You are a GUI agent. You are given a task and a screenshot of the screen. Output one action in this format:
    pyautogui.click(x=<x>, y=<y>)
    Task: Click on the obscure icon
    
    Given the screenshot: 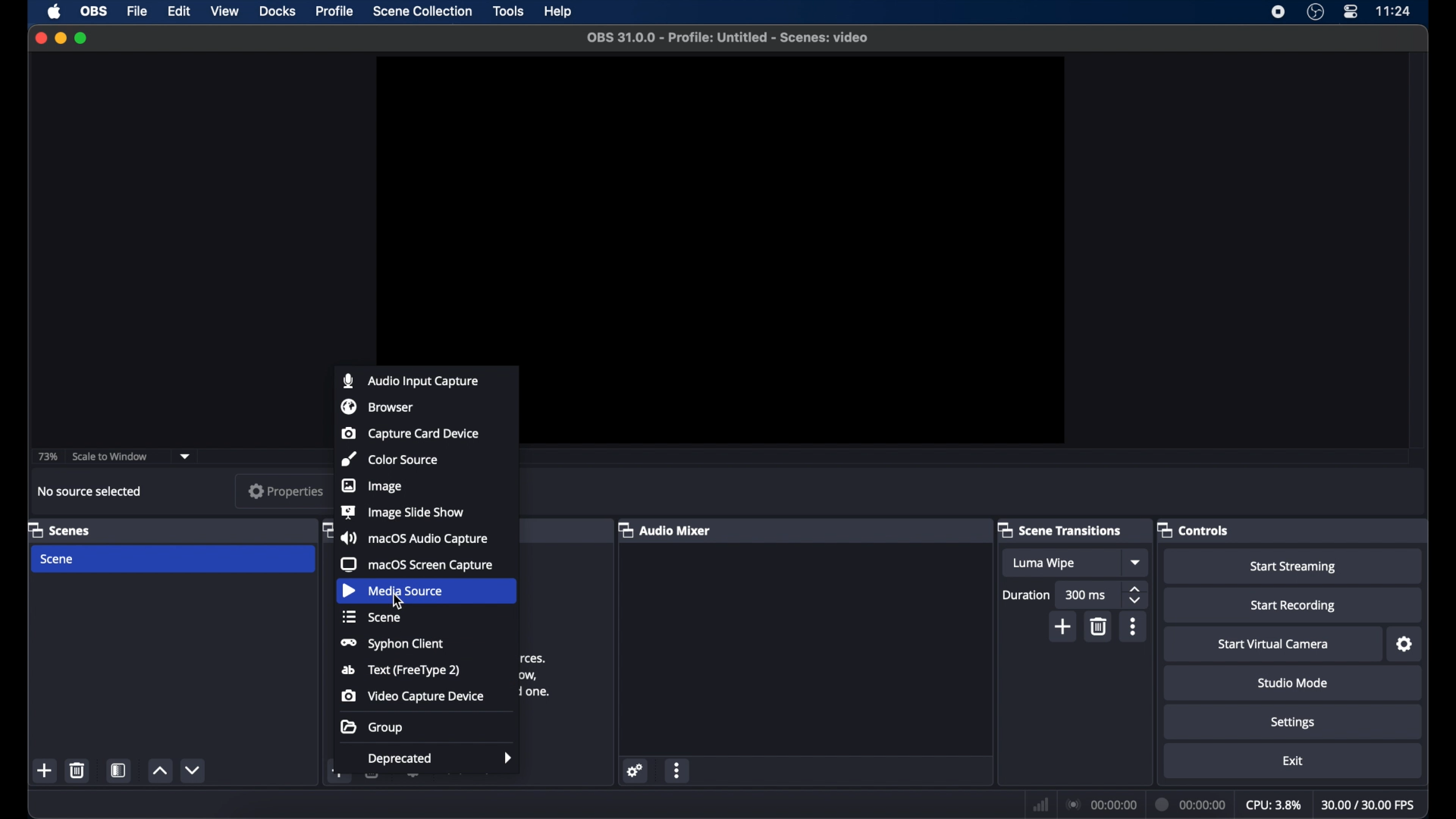 What is the action you would take?
    pyautogui.click(x=322, y=530)
    